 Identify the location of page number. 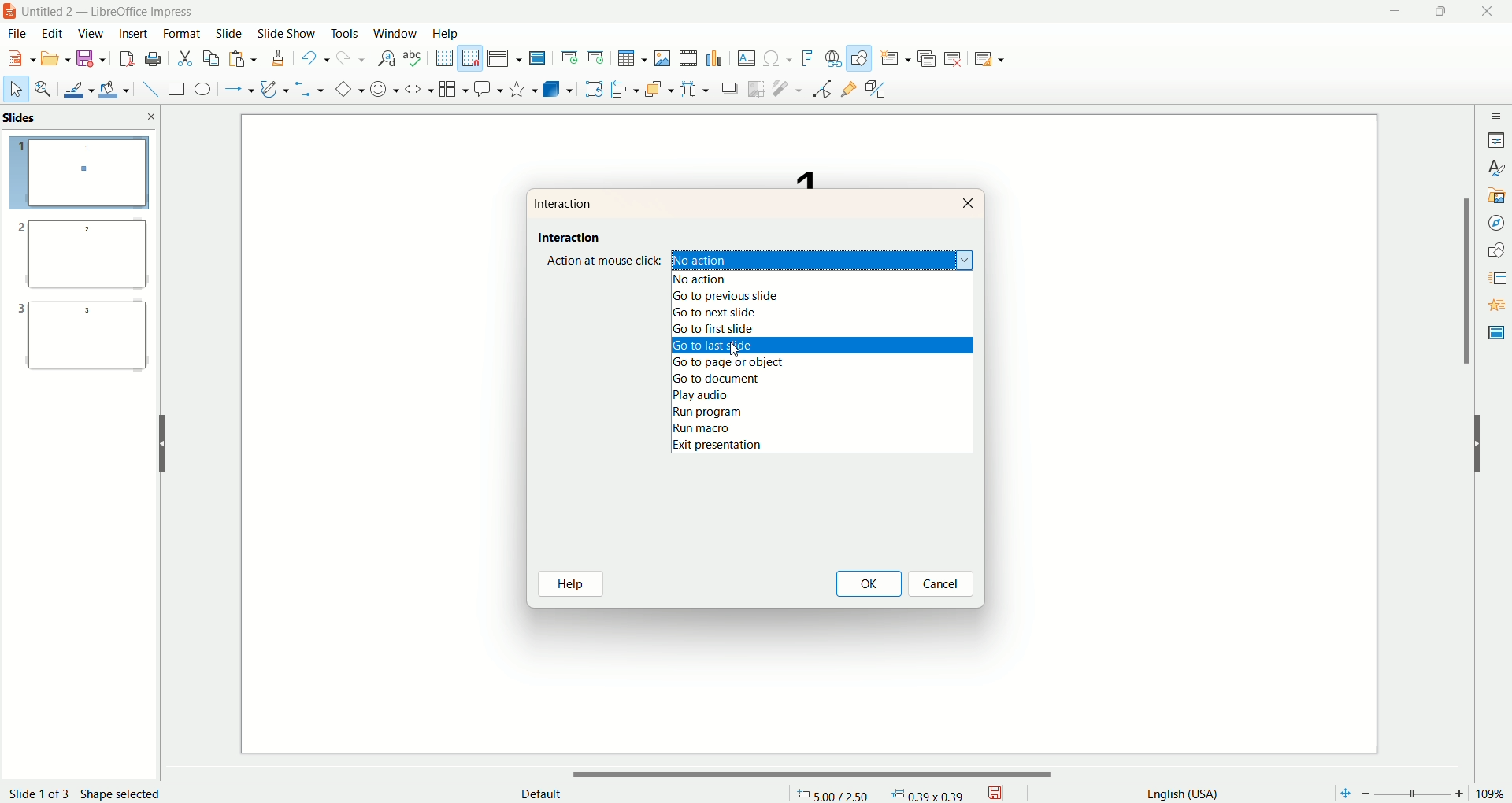
(37, 793).